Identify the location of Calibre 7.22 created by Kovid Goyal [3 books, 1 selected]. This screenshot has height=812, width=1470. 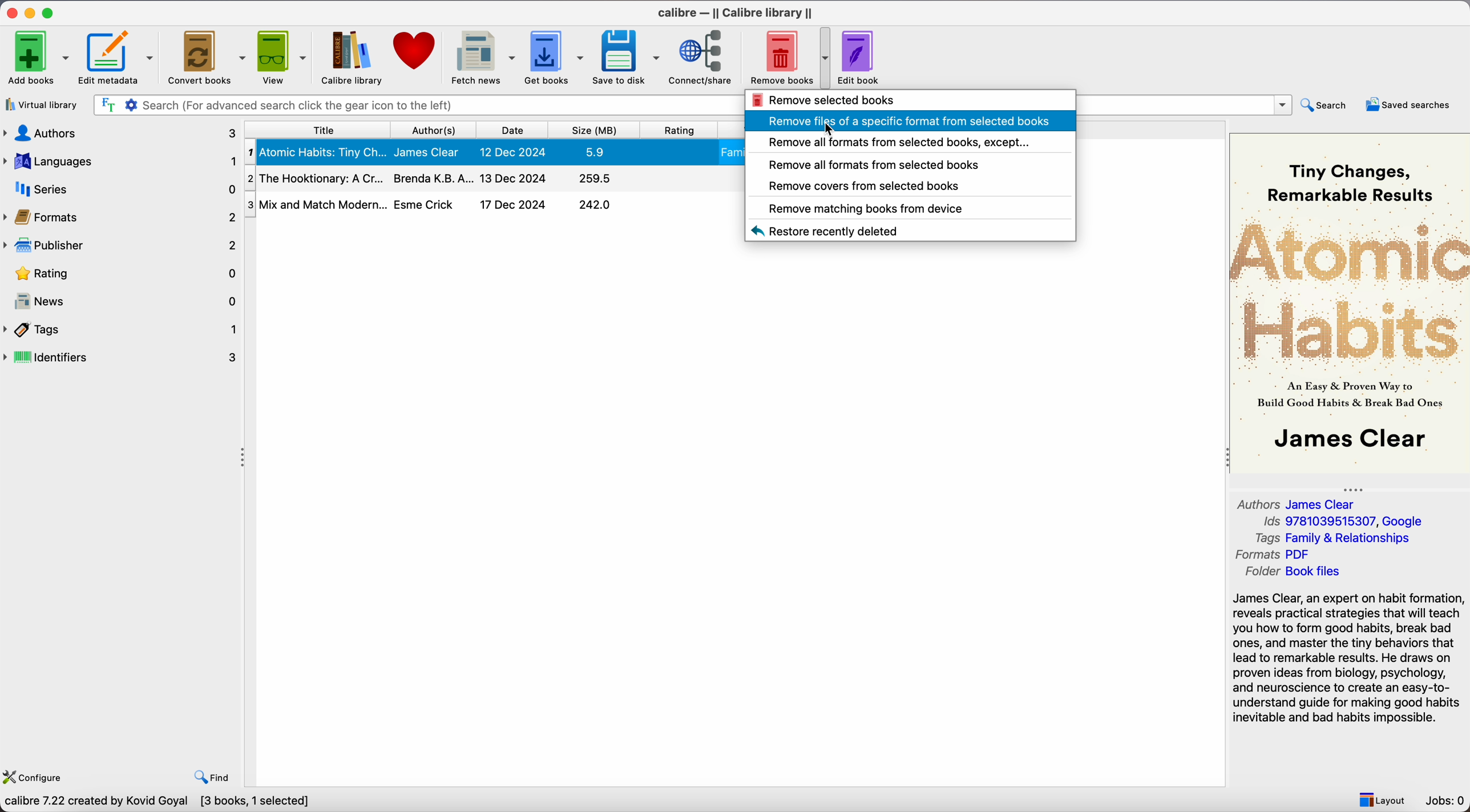
(158, 805).